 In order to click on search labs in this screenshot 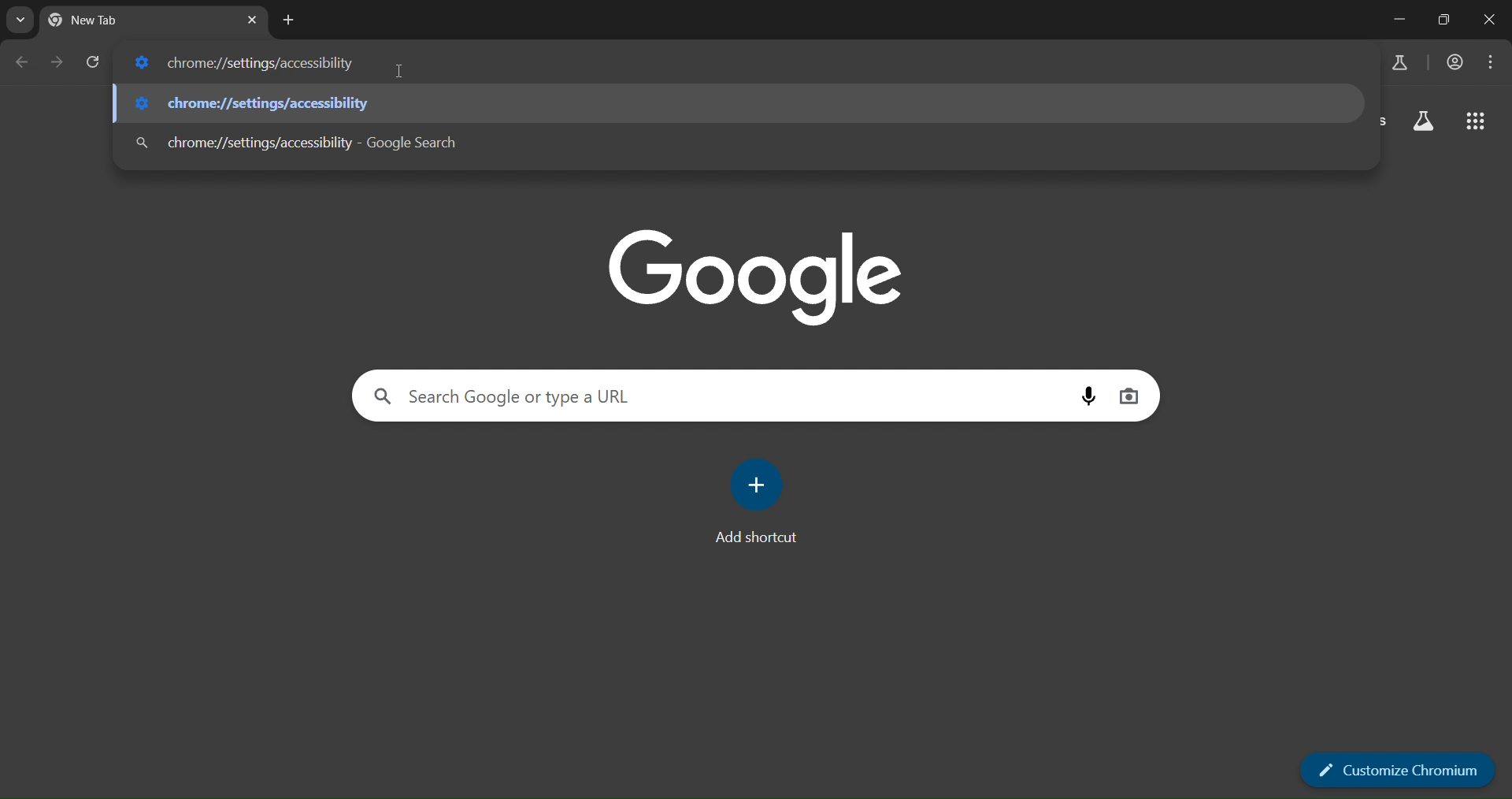, I will do `click(1424, 120)`.